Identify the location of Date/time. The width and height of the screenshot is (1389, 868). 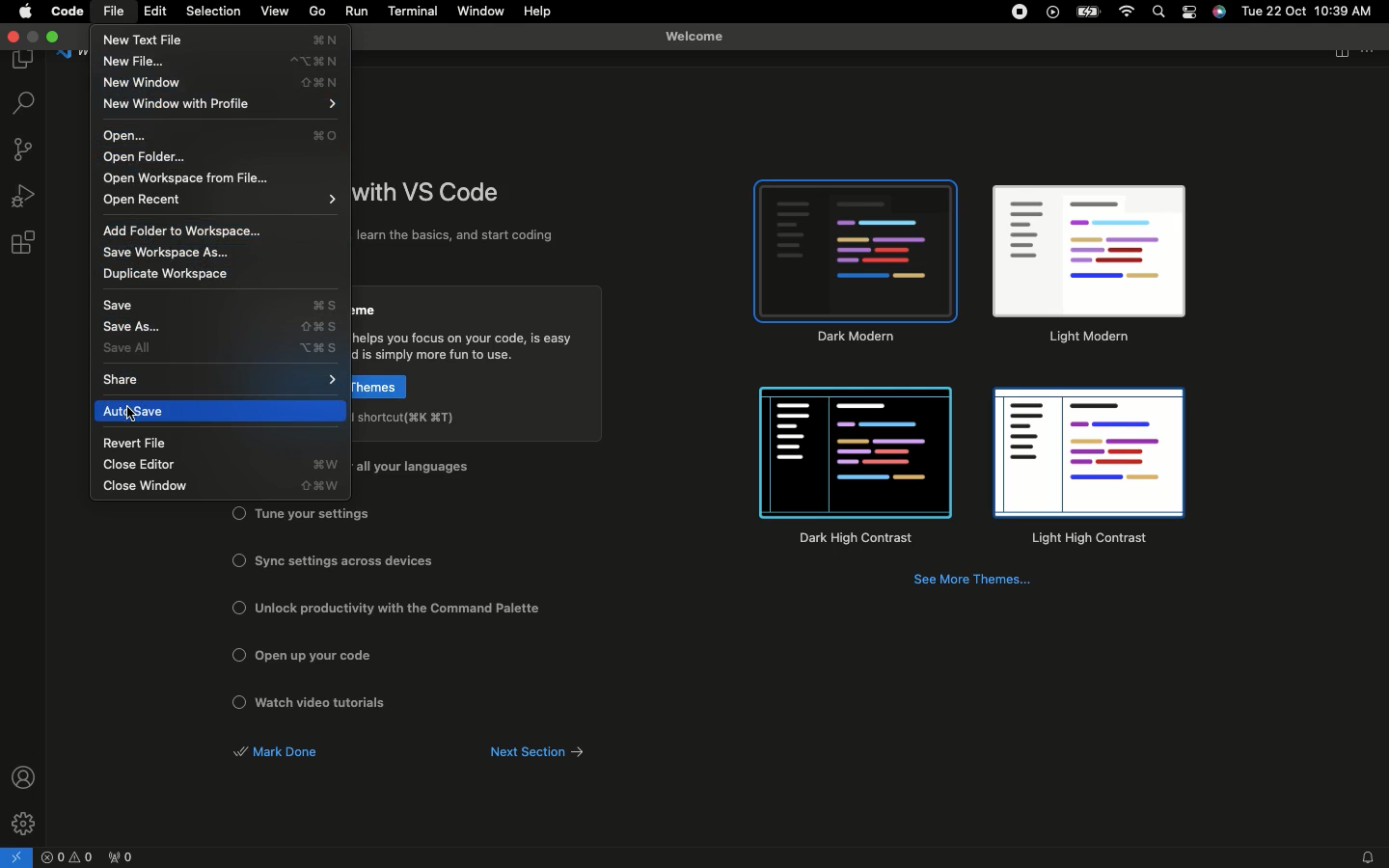
(1307, 14).